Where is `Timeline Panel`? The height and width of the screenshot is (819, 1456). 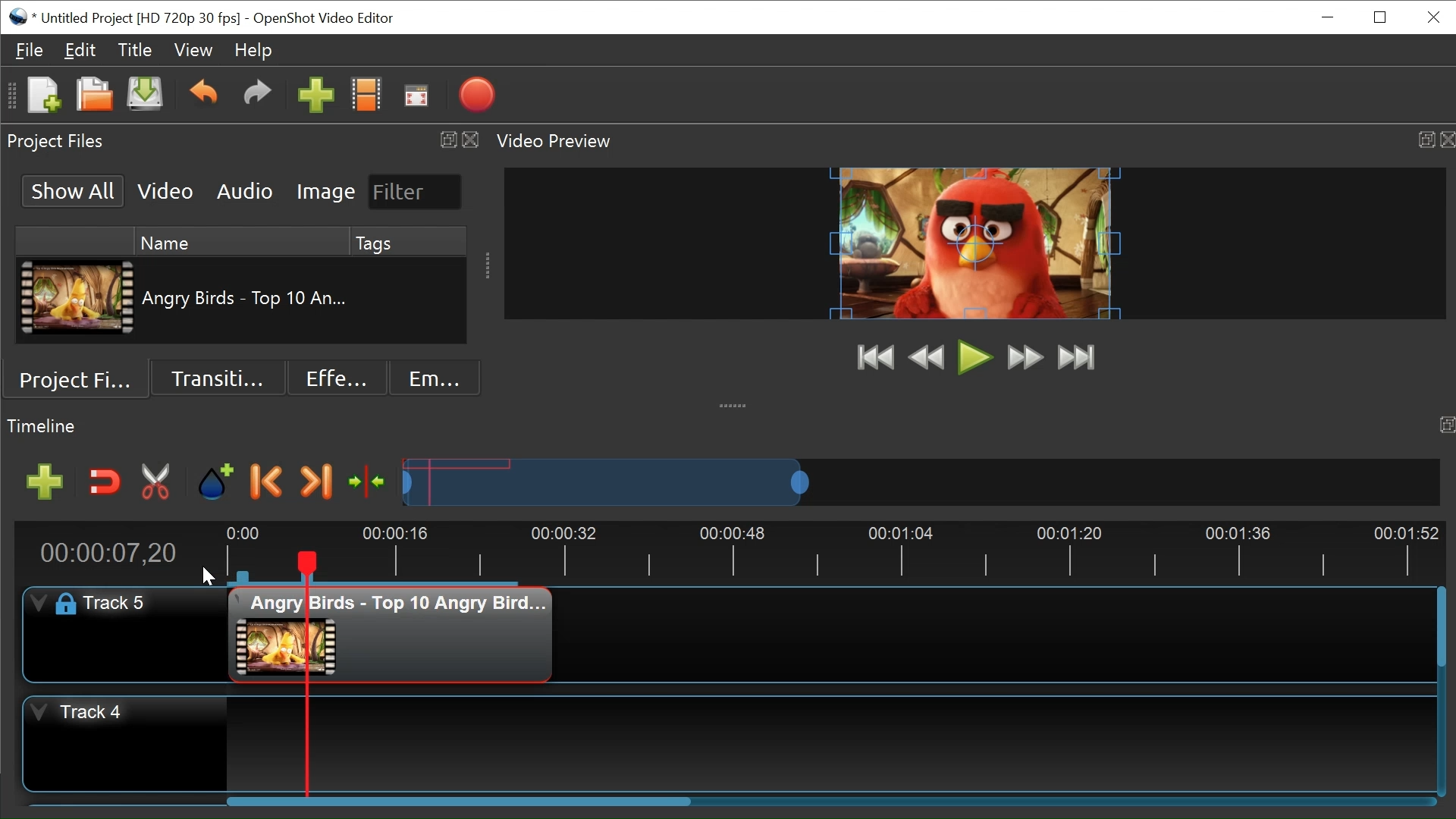 Timeline Panel is located at coordinates (728, 426).